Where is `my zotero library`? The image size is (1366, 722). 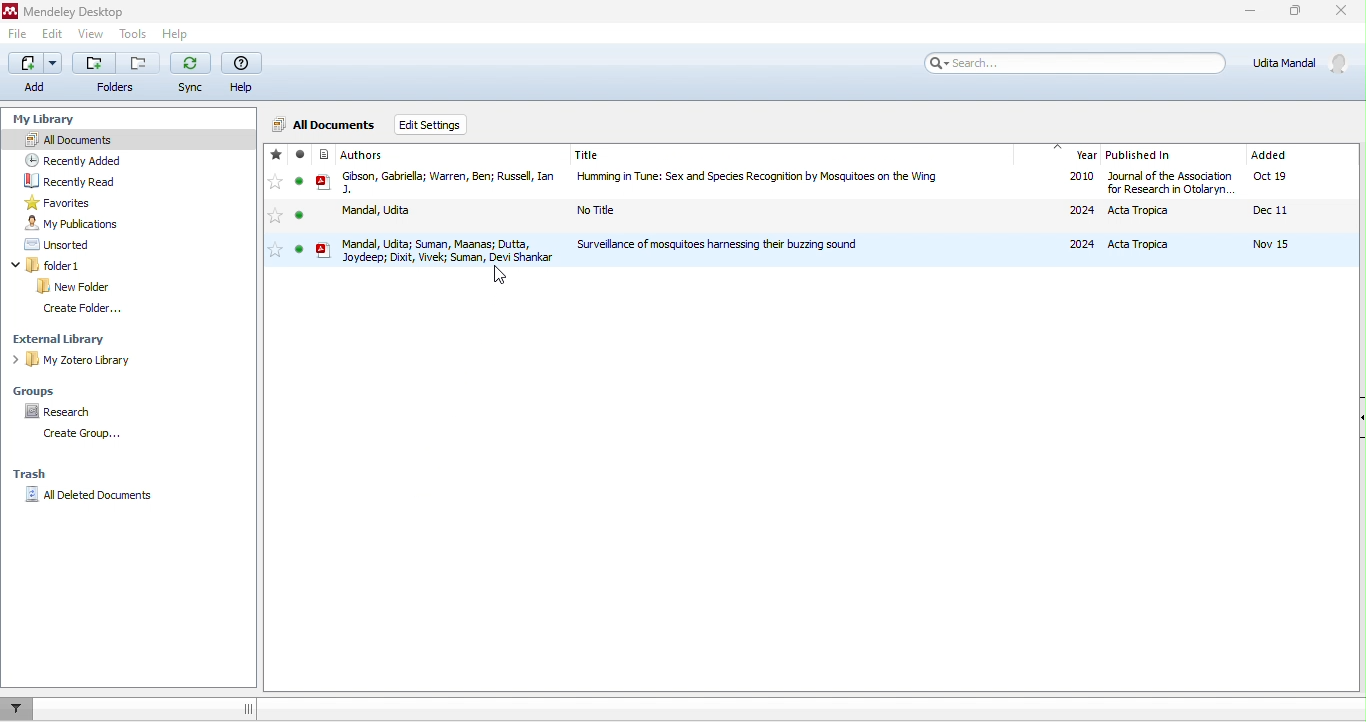 my zotero library is located at coordinates (70, 359).